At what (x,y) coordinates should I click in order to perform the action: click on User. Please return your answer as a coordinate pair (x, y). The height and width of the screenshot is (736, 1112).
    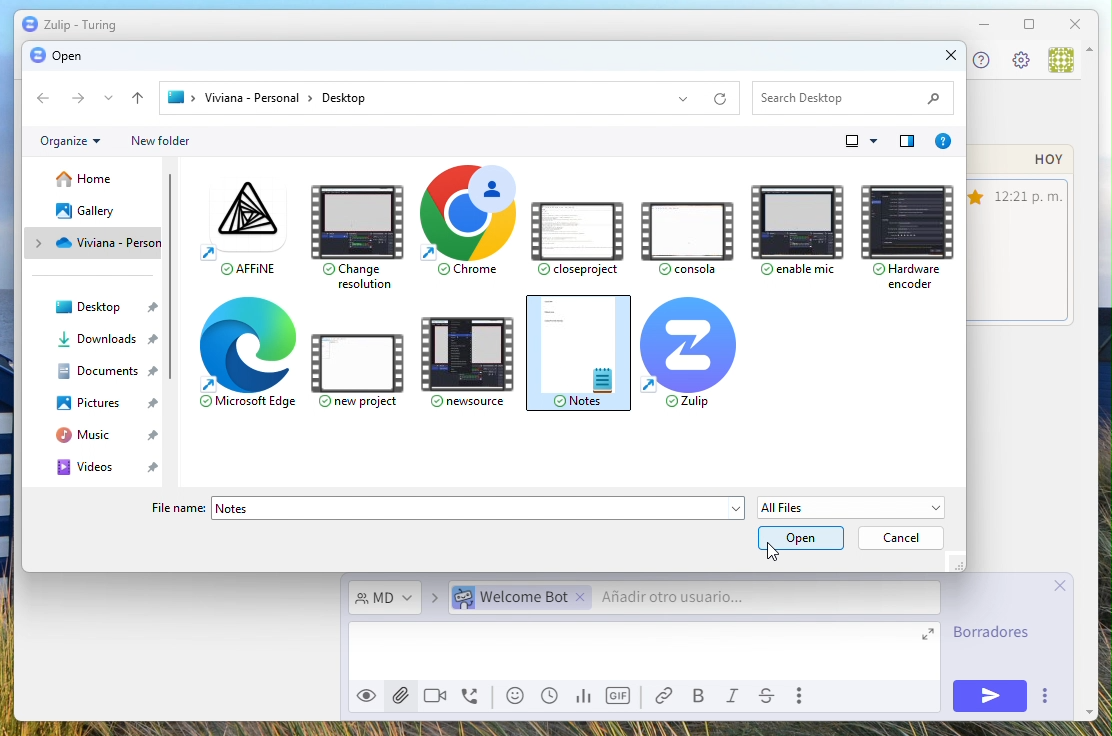
    Looking at the image, I should click on (1060, 61).